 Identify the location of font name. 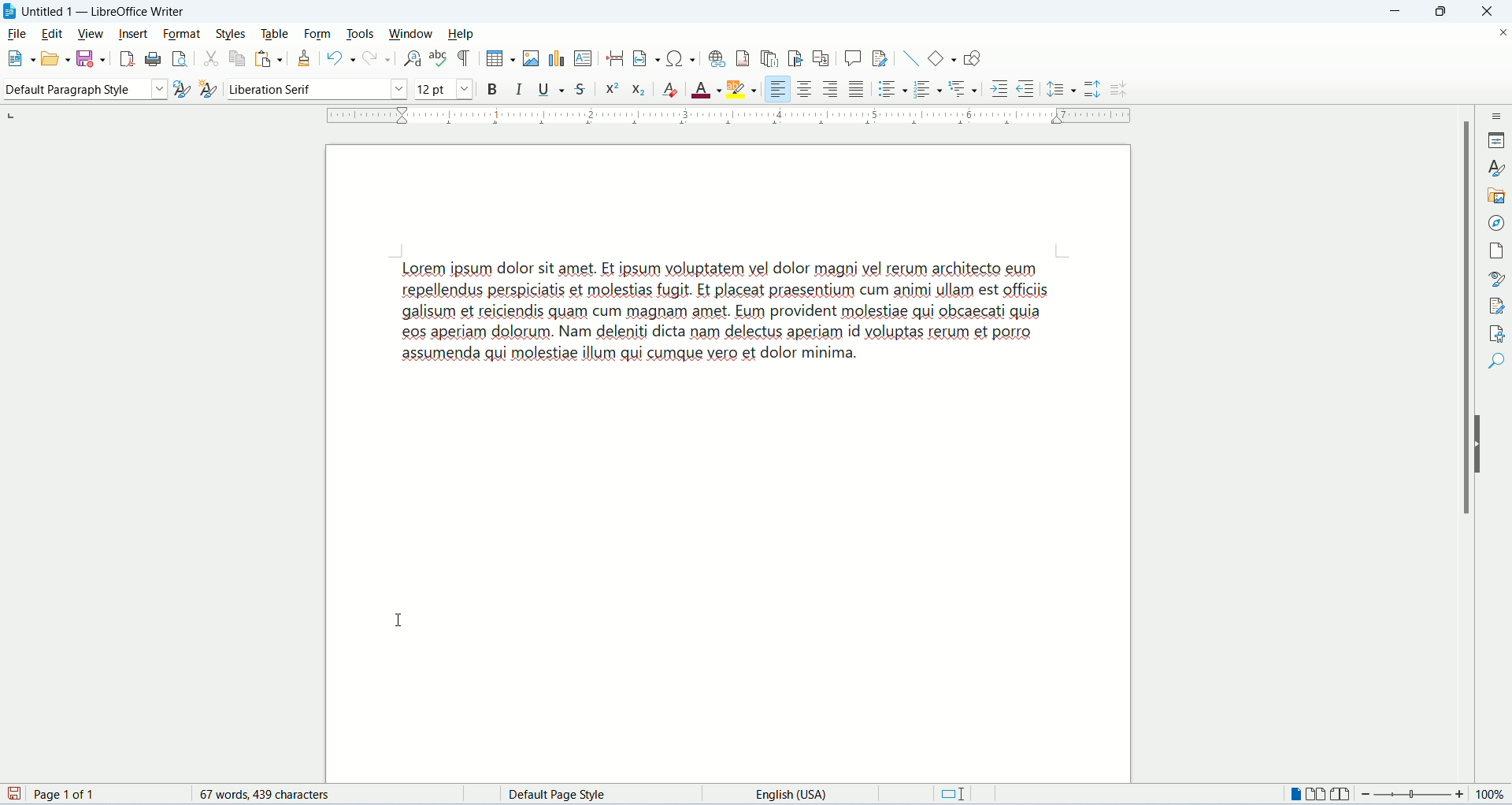
(309, 89).